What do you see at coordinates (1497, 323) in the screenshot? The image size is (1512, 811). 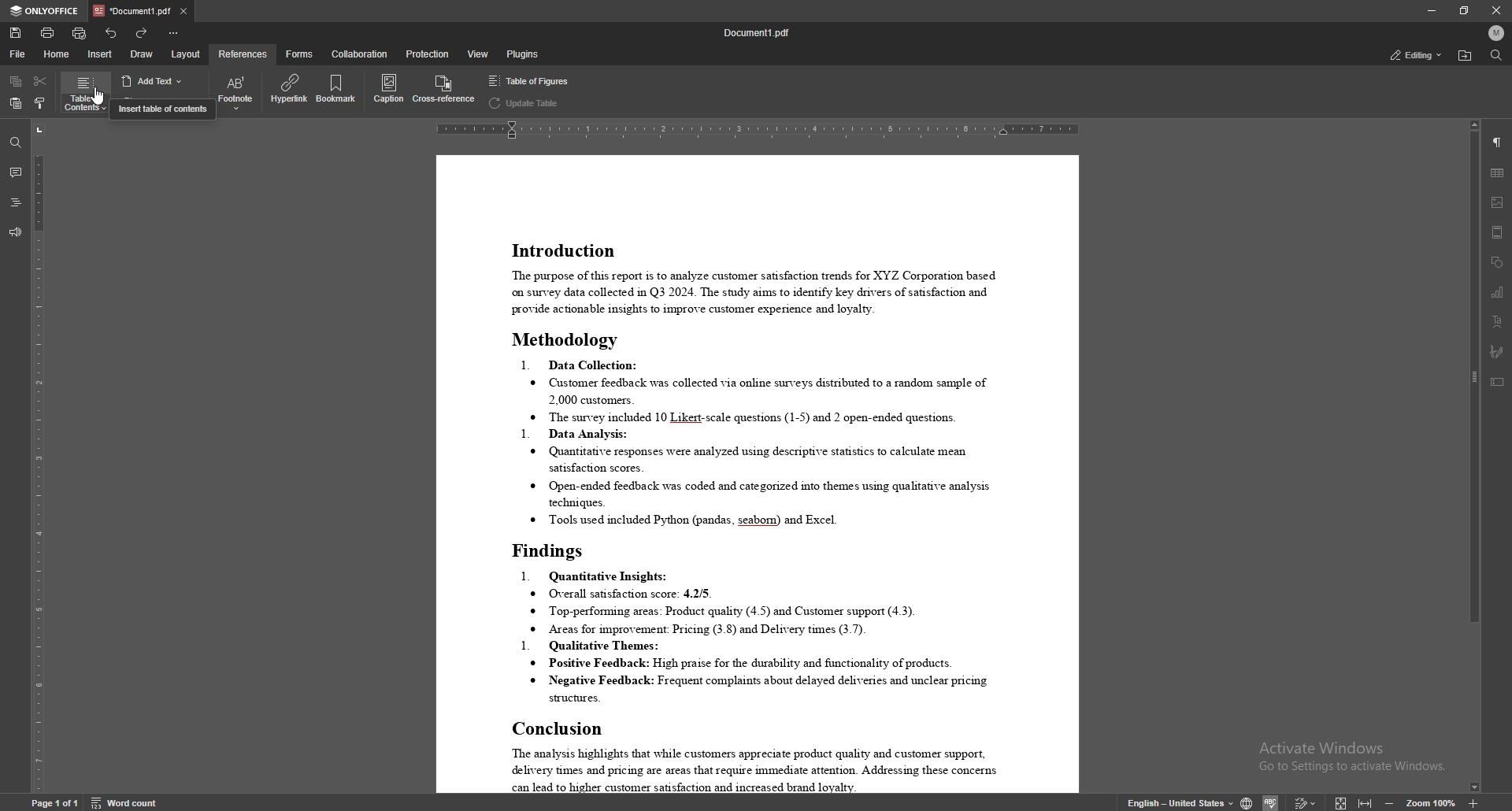 I see `text art` at bounding box center [1497, 323].